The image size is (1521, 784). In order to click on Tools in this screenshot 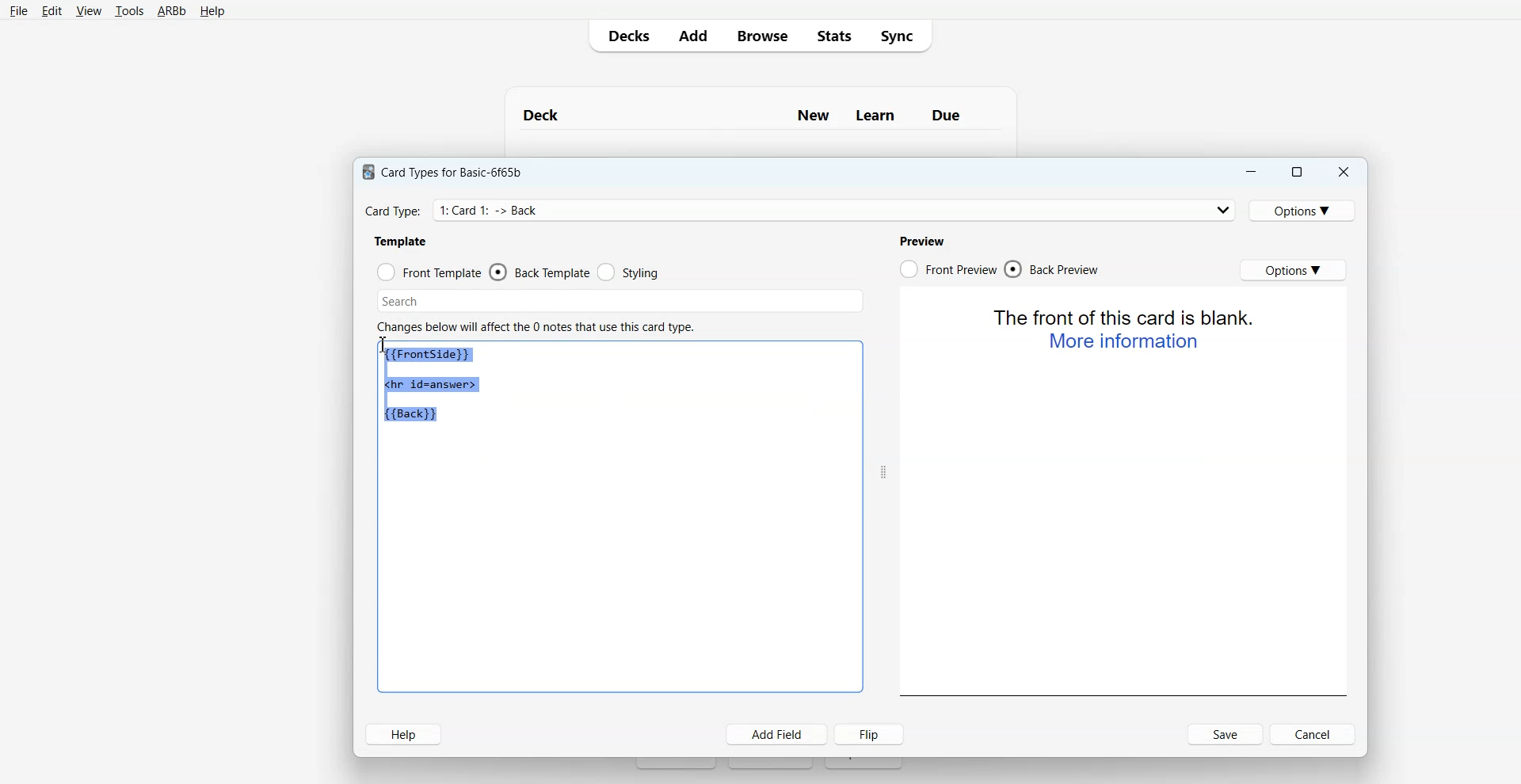, I will do `click(129, 11)`.